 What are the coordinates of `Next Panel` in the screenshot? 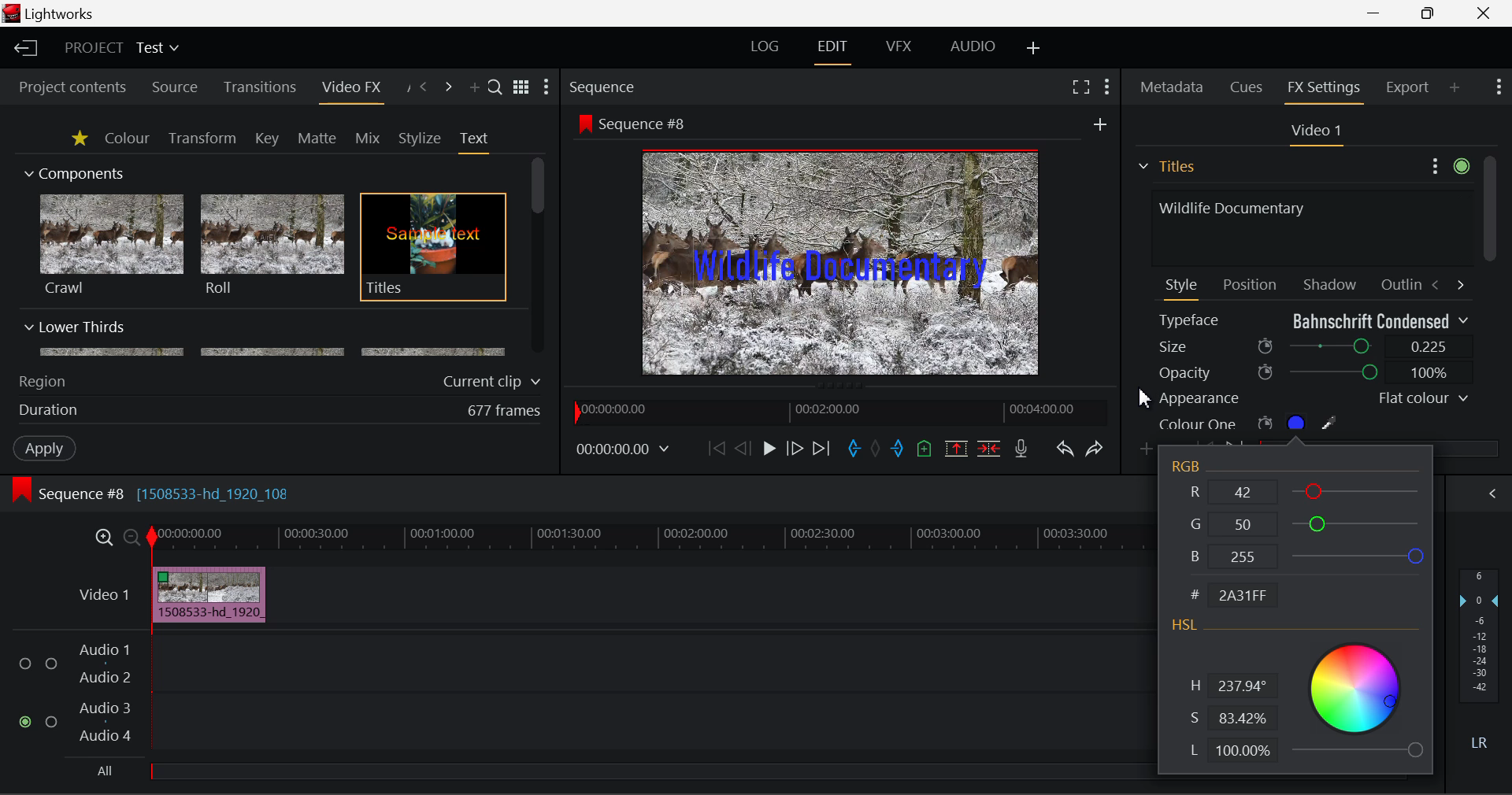 It's located at (450, 88).